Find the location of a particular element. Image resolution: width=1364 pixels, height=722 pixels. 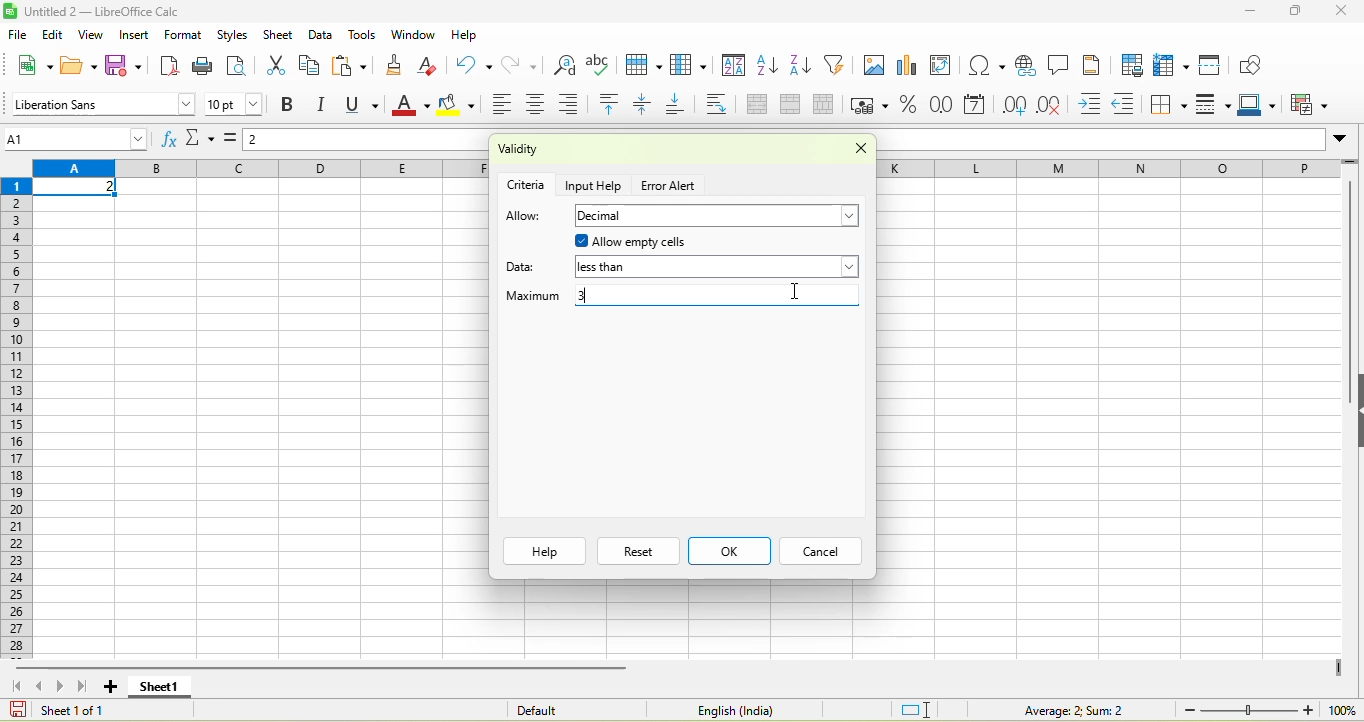

clear directly formatting is located at coordinates (432, 66).